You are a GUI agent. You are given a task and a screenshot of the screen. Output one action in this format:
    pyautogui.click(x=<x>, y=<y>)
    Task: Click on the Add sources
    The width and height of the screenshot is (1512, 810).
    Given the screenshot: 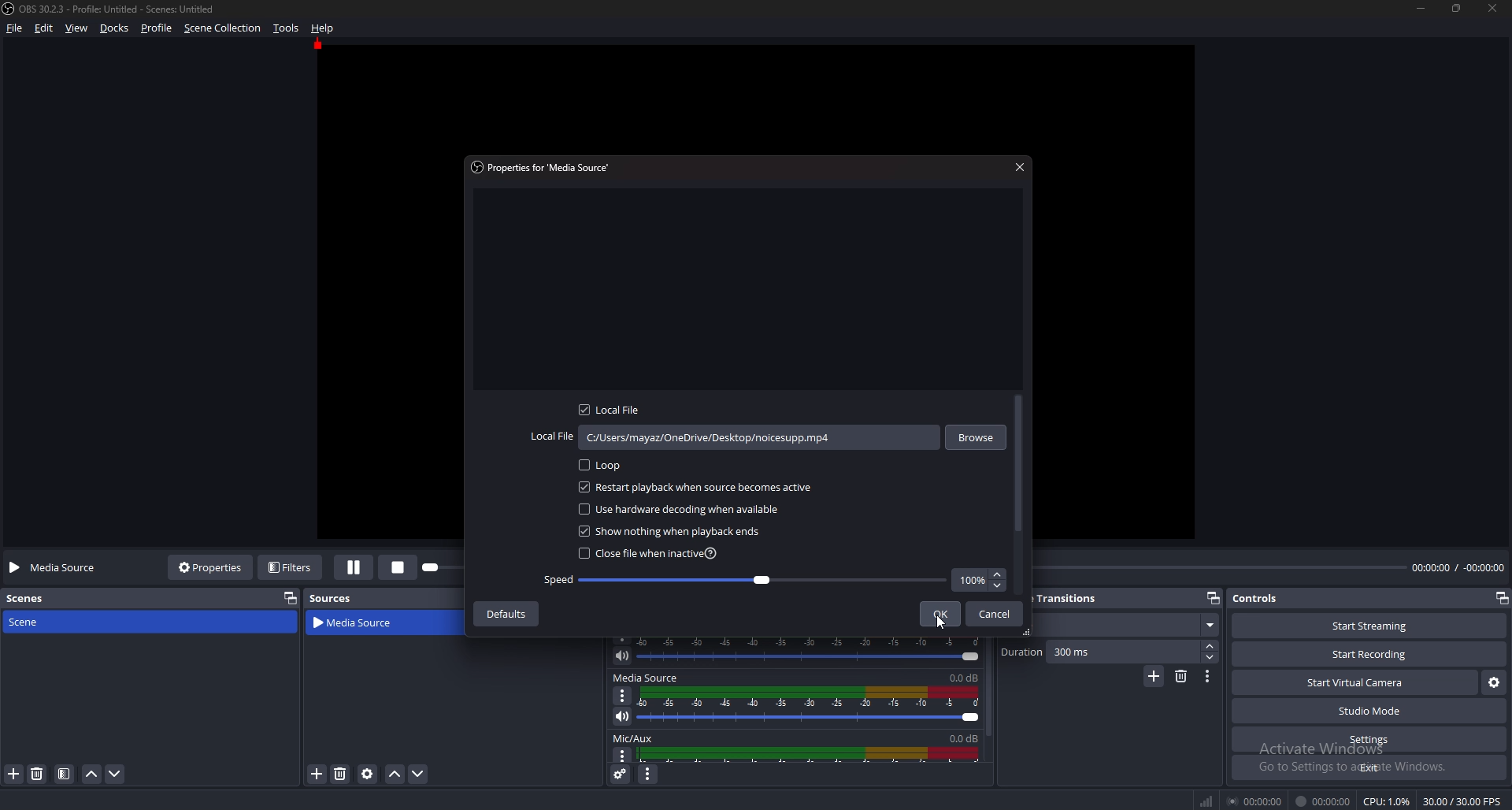 What is the action you would take?
    pyautogui.click(x=315, y=773)
    